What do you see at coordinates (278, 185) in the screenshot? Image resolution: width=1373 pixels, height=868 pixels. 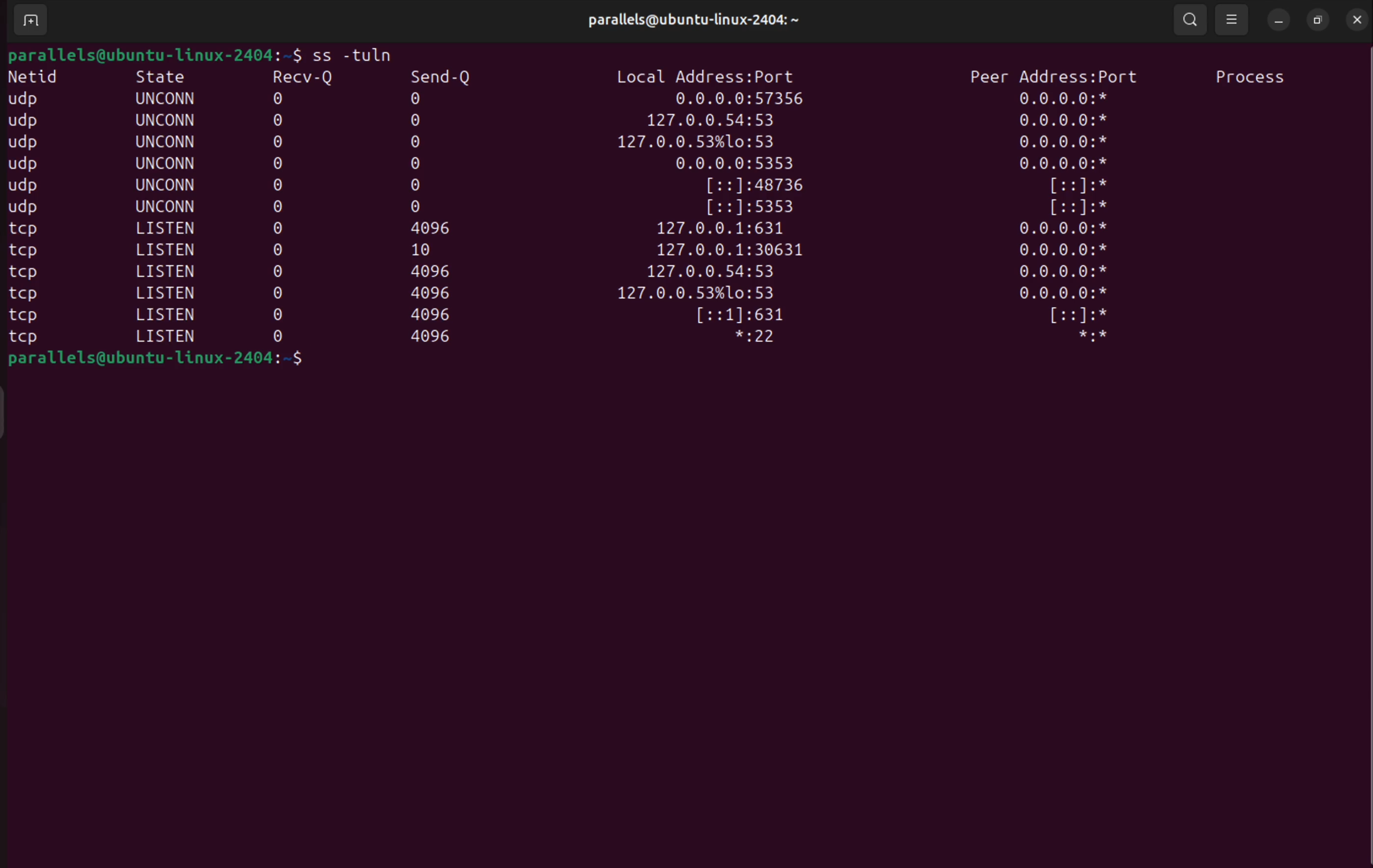 I see `` at bounding box center [278, 185].